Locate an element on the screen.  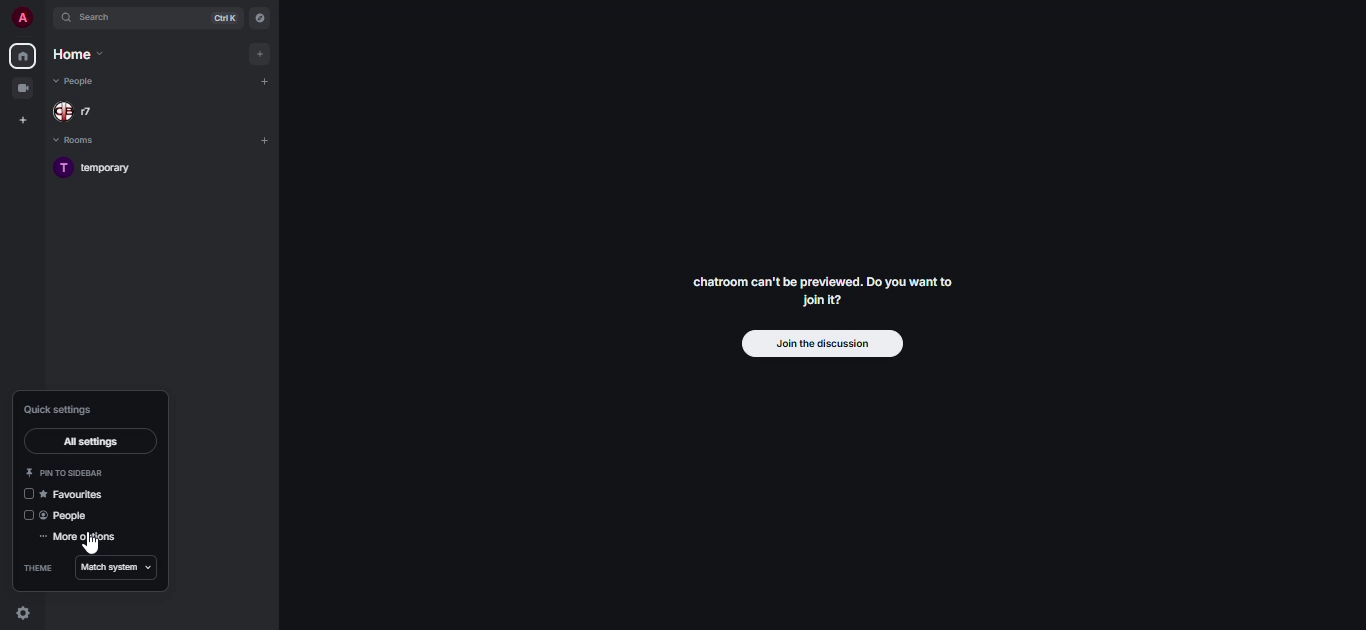
chatroom can't be previewed. Join it? is located at coordinates (820, 290).